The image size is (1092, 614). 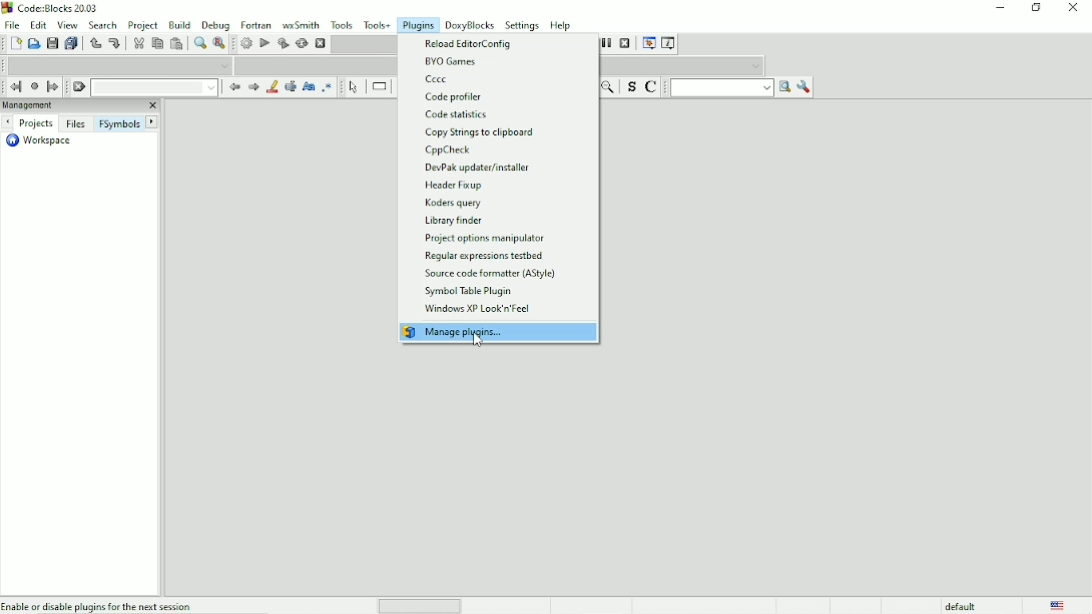 I want to click on Copy strings to clipboard, so click(x=481, y=133).